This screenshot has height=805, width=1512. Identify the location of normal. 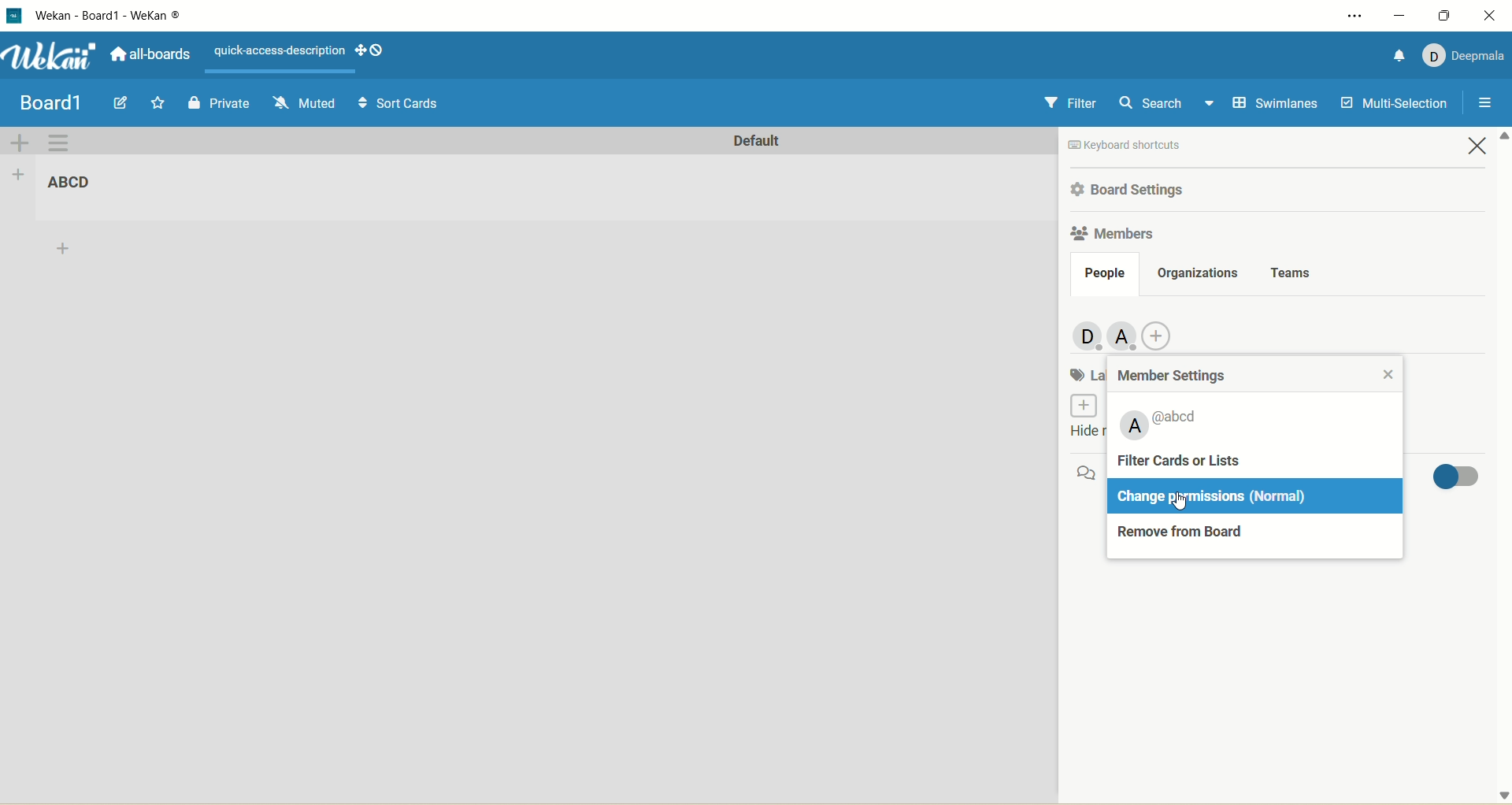
(1286, 498).